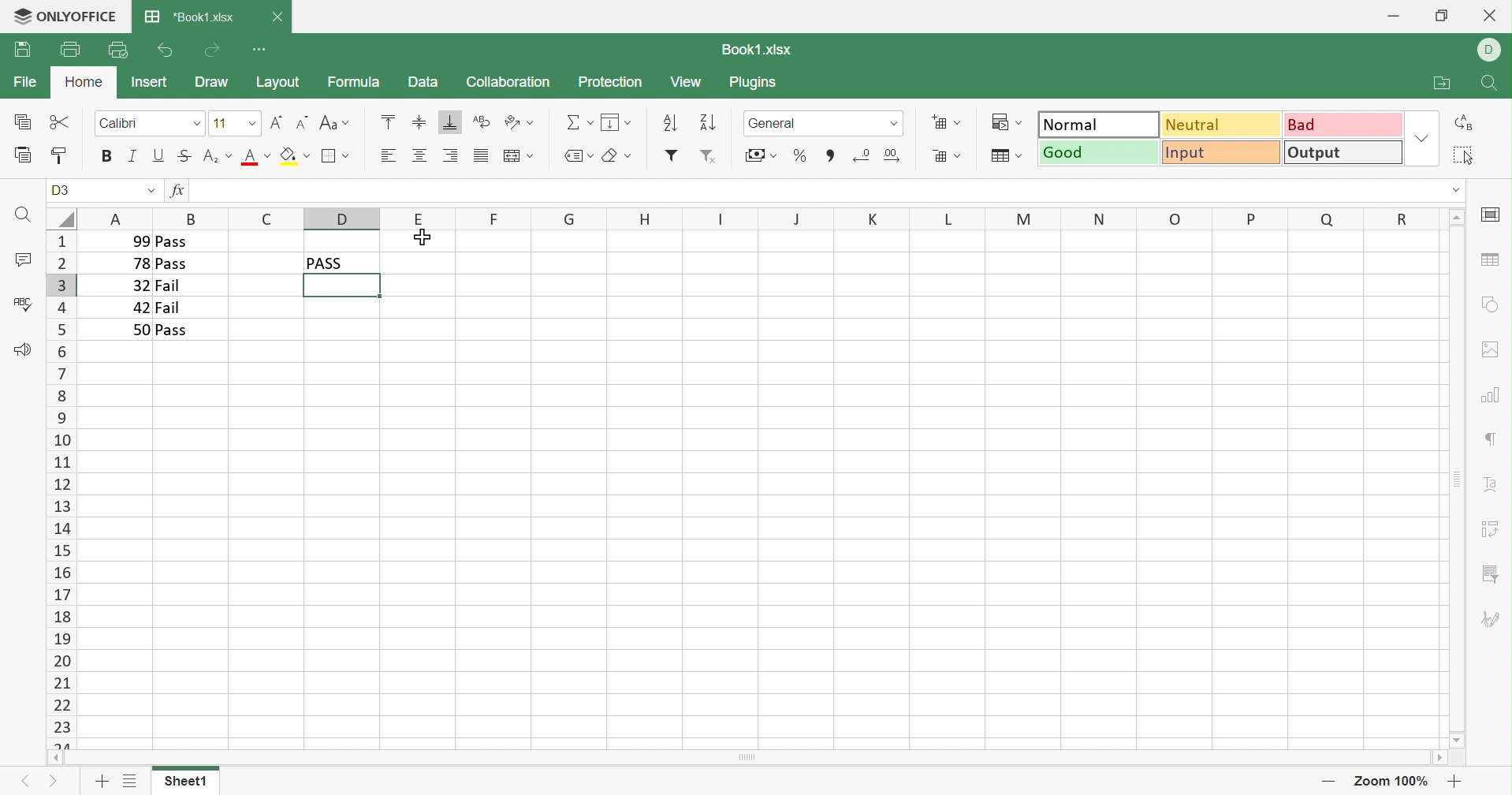  What do you see at coordinates (709, 122) in the screenshot?
I see `Sort descending` at bounding box center [709, 122].